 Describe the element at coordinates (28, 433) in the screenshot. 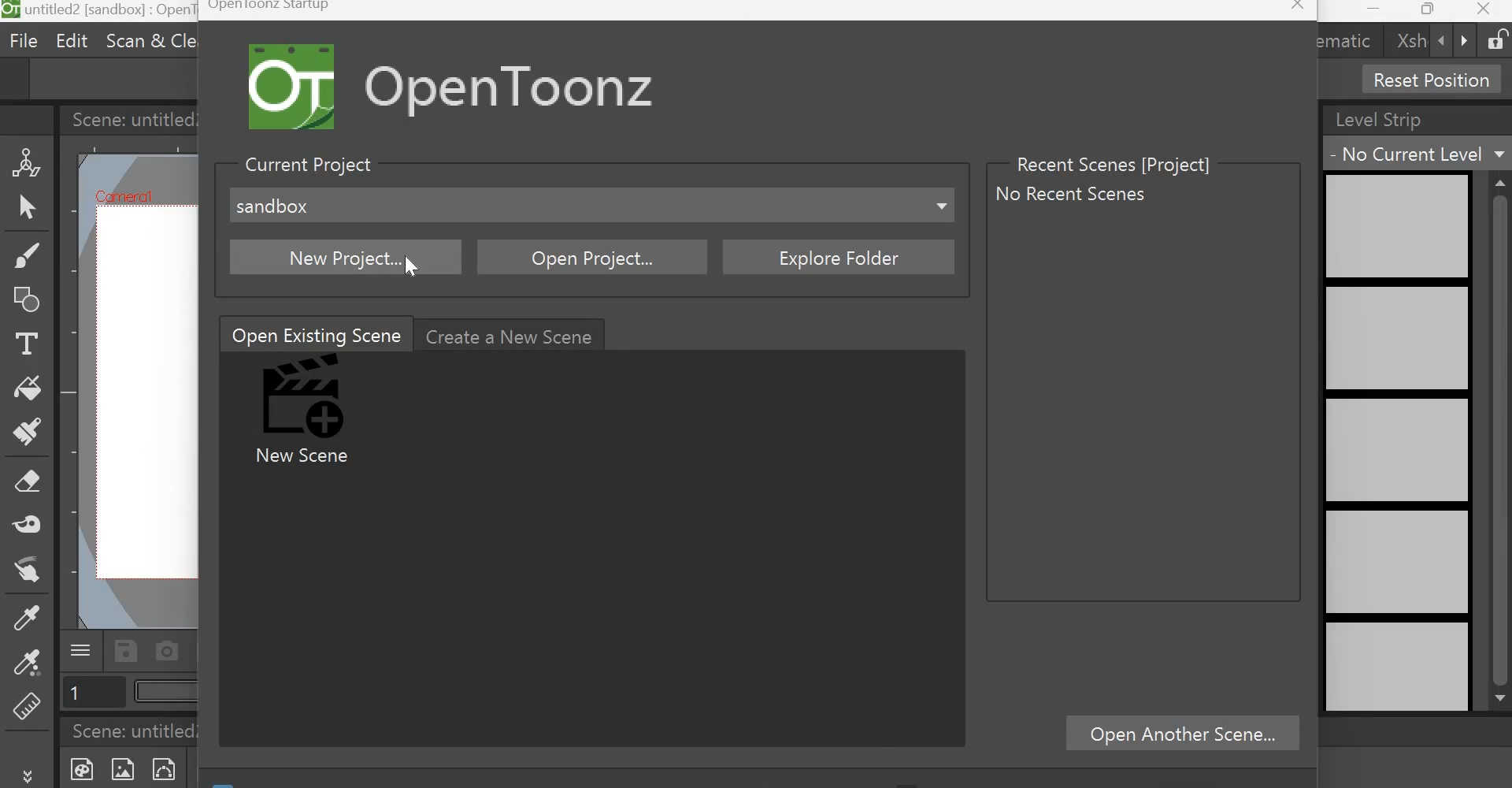

I see `Paint brush tool` at that location.